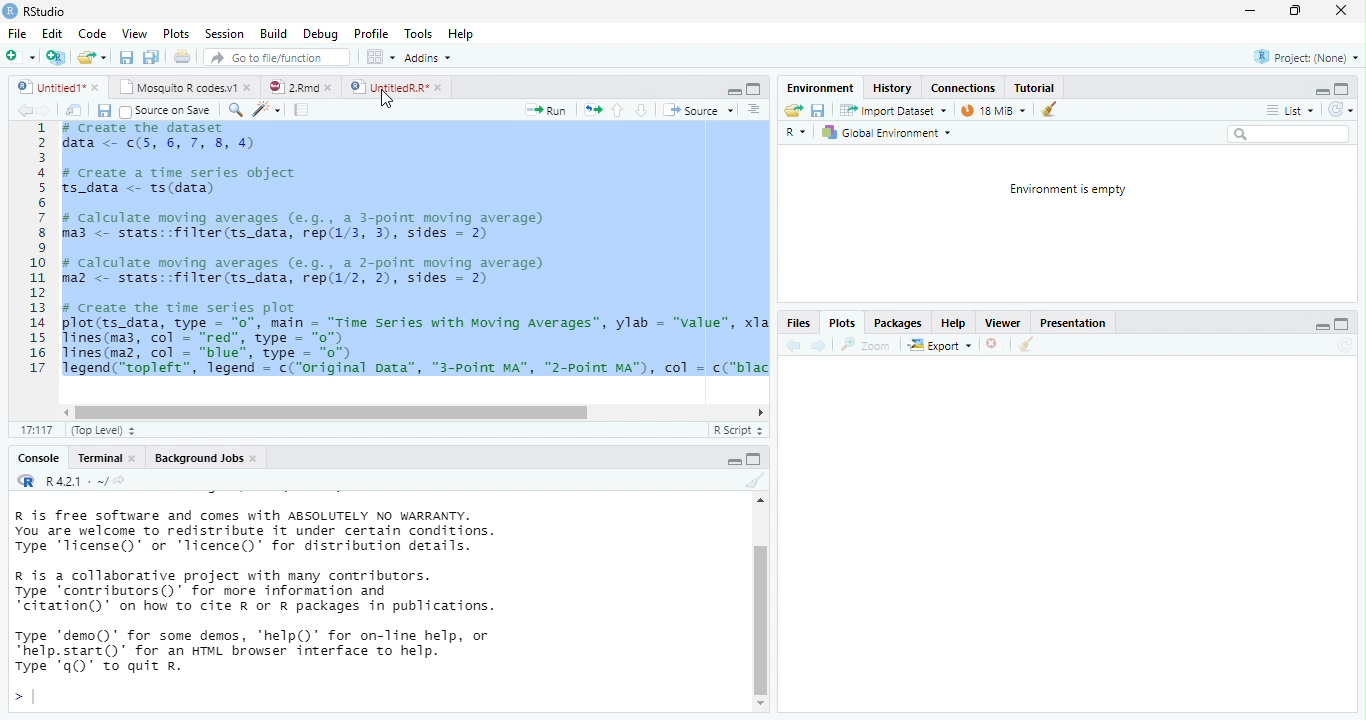 The height and width of the screenshot is (720, 1366). Describe the element at coordinates (120, 480) in the screenshot. I see `view the current working directory` at that location.